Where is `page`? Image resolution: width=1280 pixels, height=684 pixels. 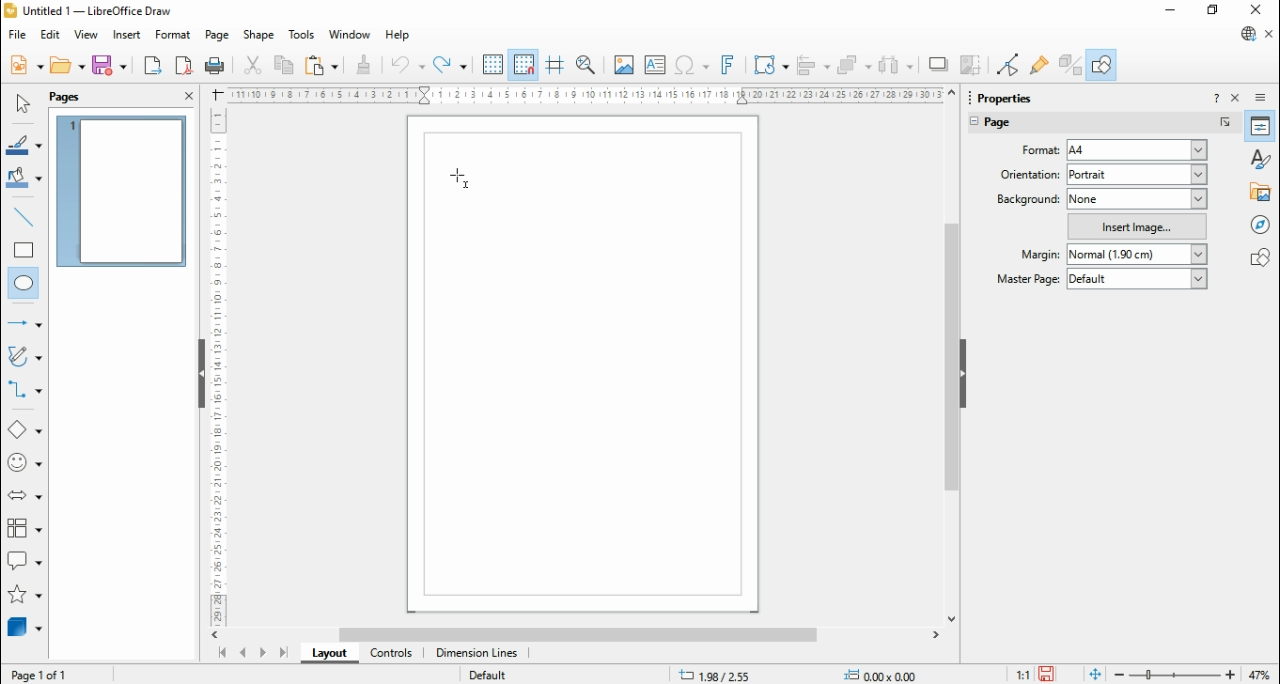
page is located at coordinates (218, 35).